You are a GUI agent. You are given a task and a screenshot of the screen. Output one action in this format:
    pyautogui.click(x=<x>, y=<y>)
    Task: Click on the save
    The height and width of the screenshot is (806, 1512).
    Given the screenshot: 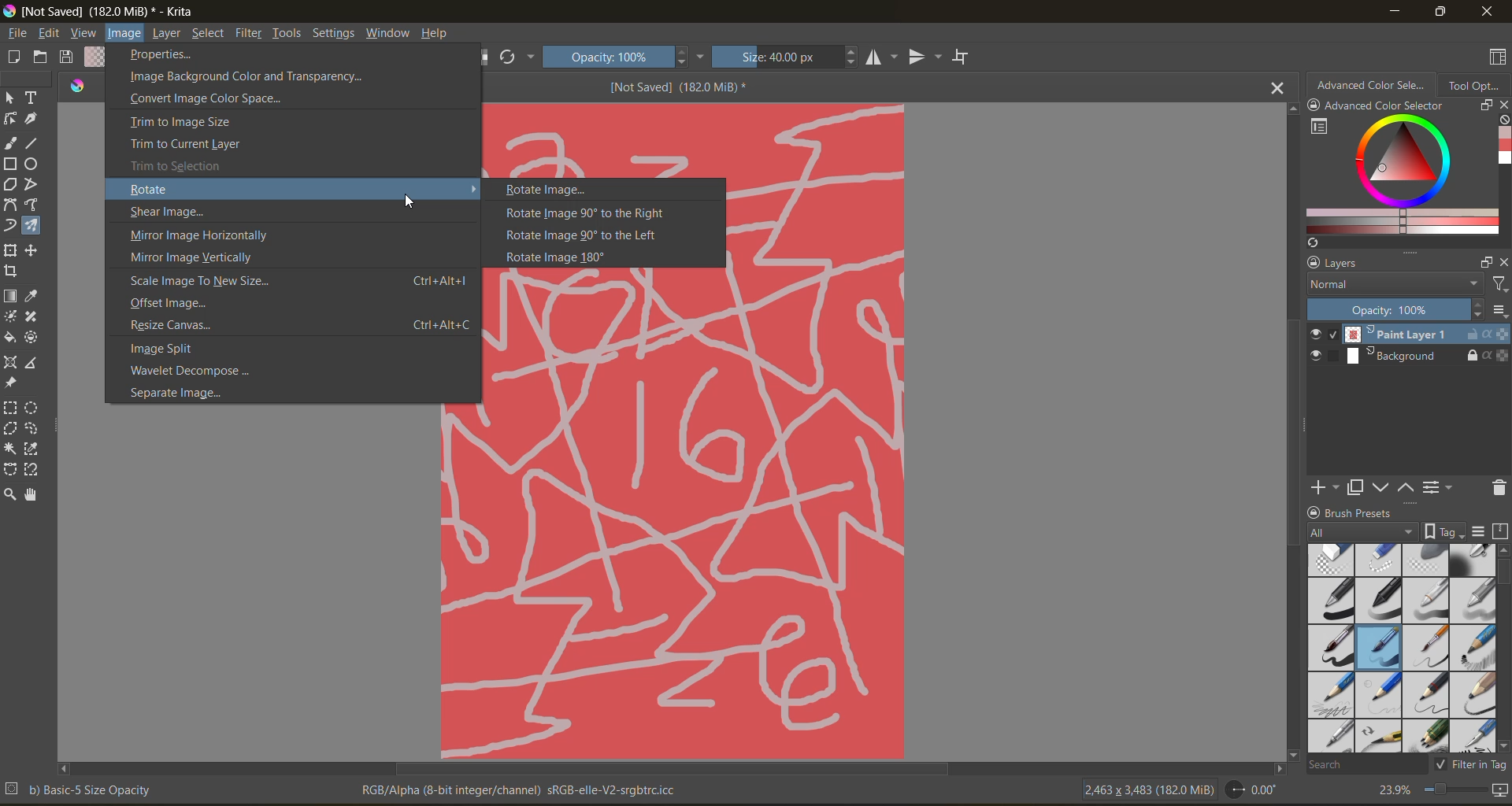 What is the action you would take?
    pyautogui.click(x=69, y=58)
    